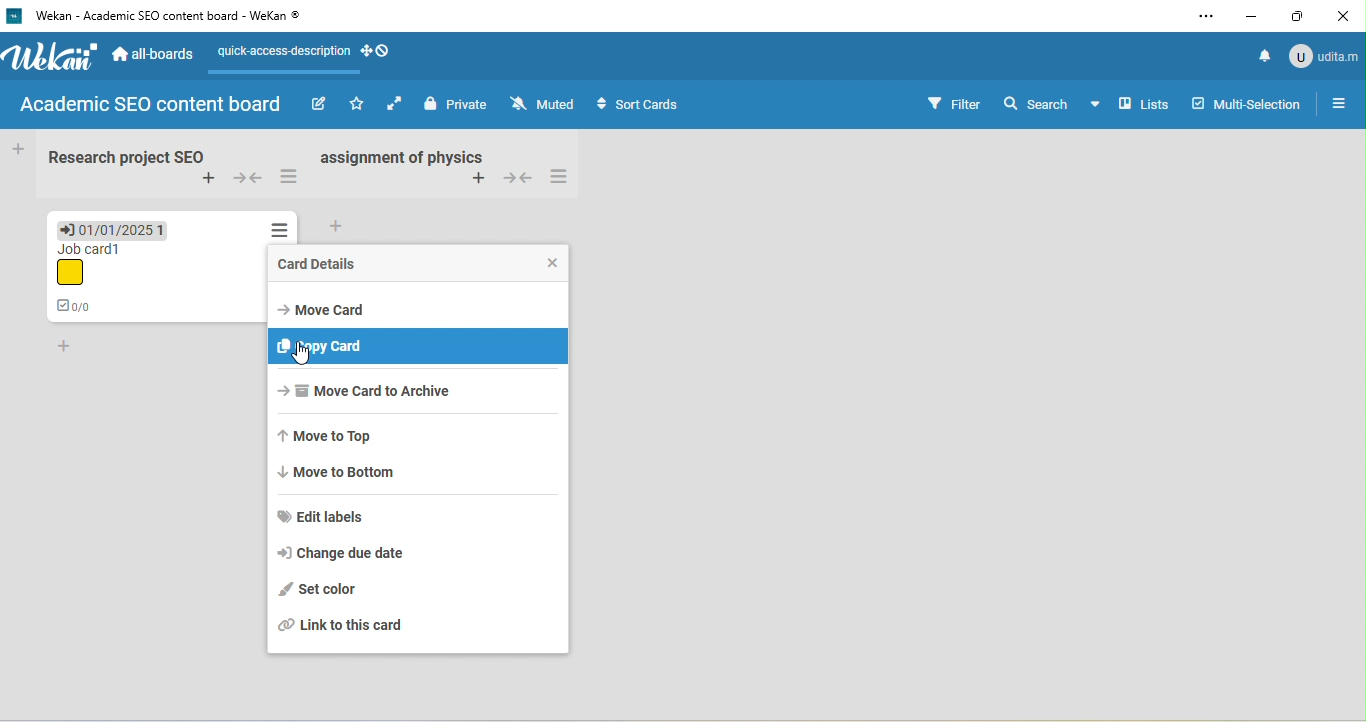  What do you see at coordinates (290, 178) in the screenshot?
I see `swimlane action` at bounding box center [290, 178].